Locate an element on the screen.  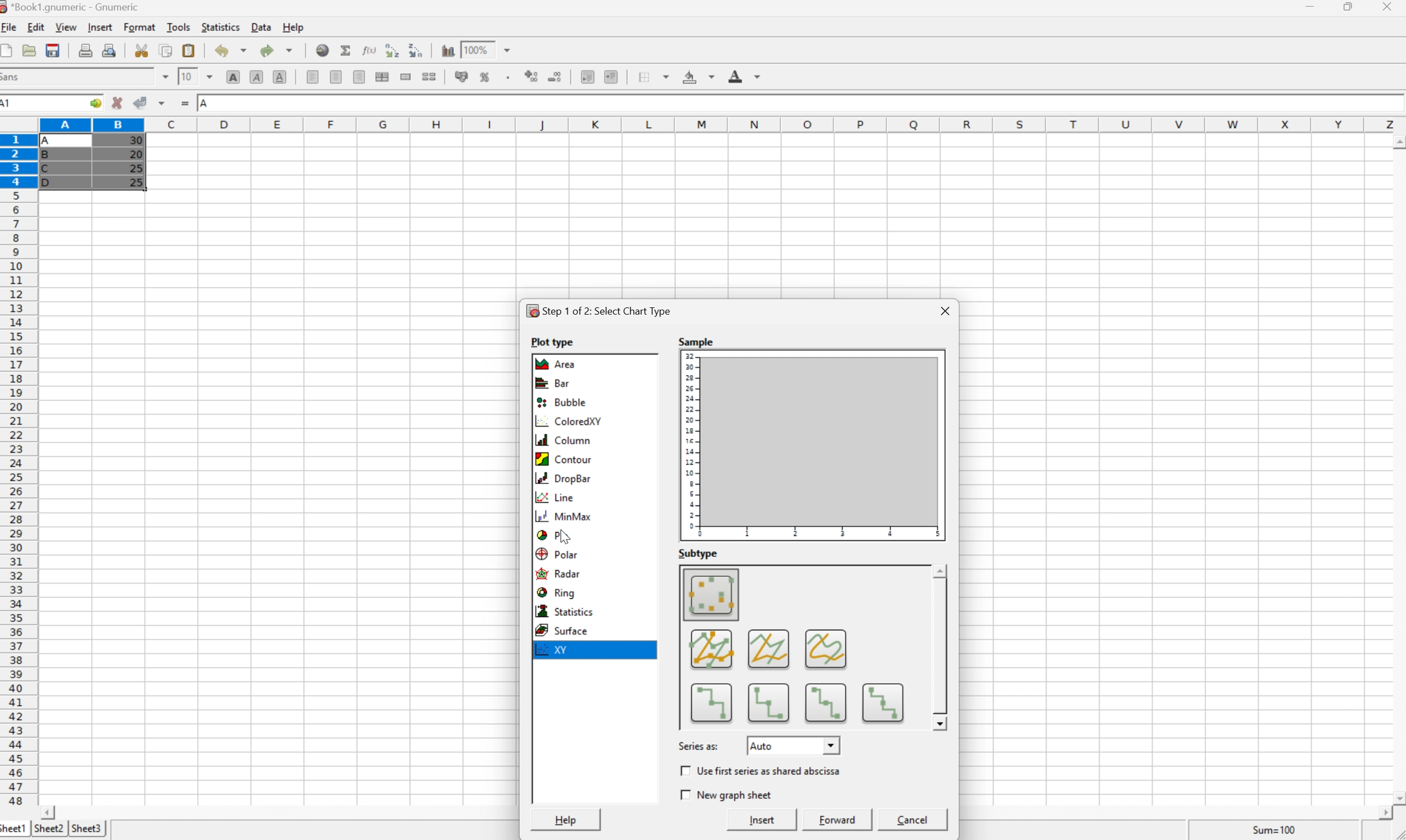
Merge a range of cells is located at coordinates (406, 78).